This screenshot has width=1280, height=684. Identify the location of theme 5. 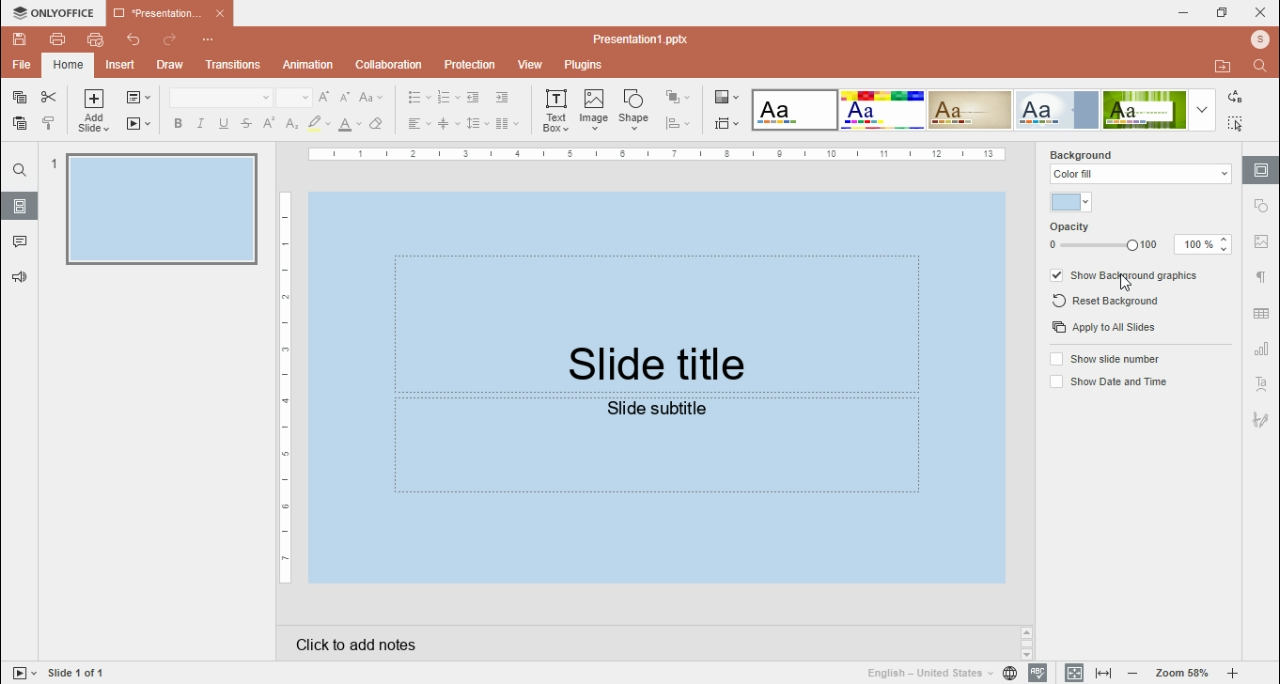
(1145, 111).